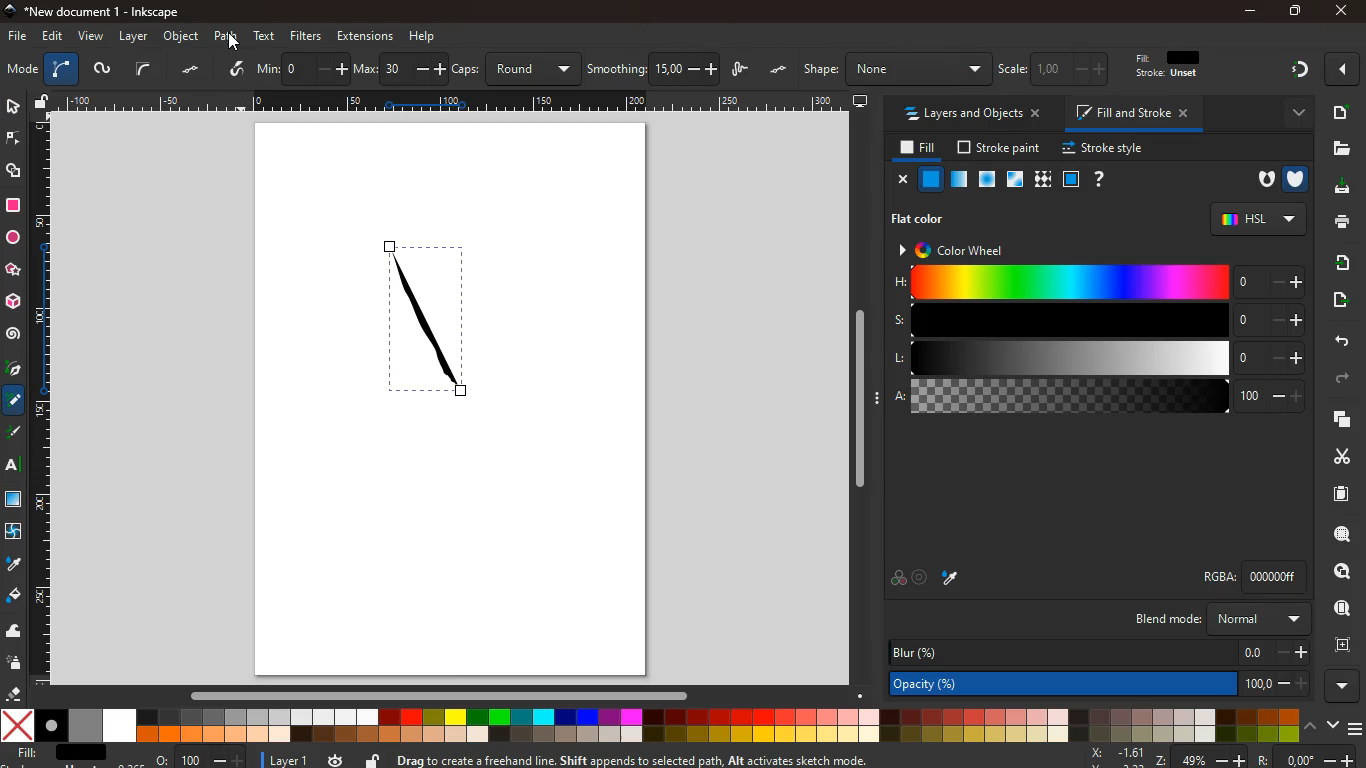 This screenshot has width=1366, height=768. I want to click on files, so click(1341, 149).